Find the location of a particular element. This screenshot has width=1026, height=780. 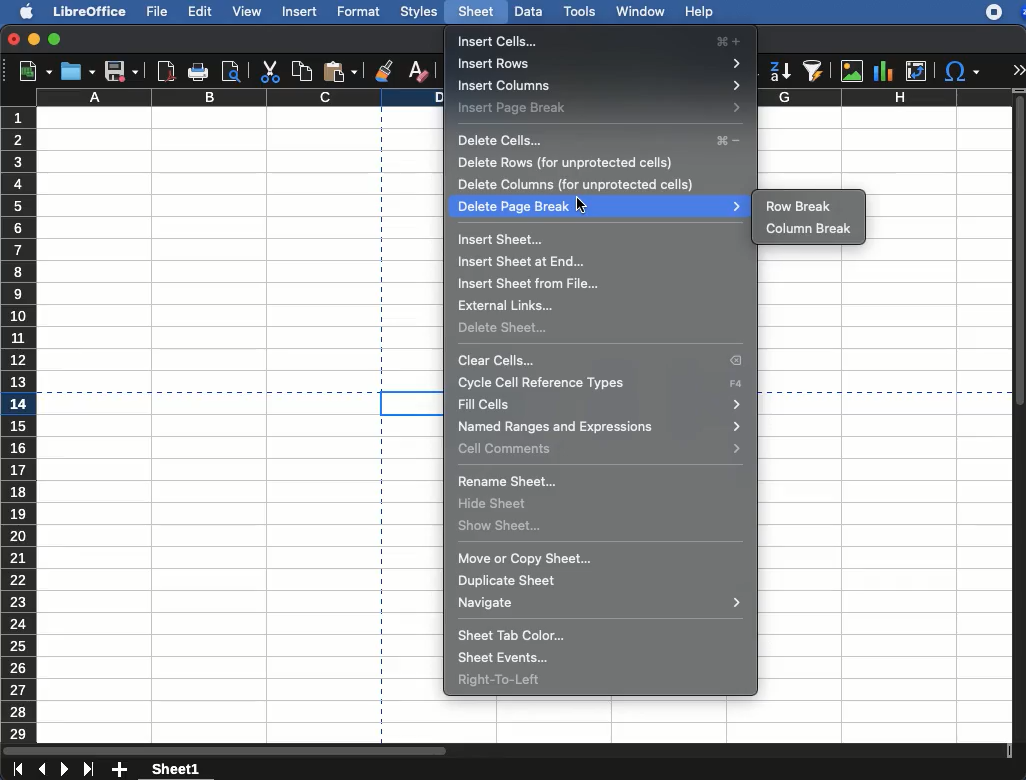

format is located at coordinates (358, 10).